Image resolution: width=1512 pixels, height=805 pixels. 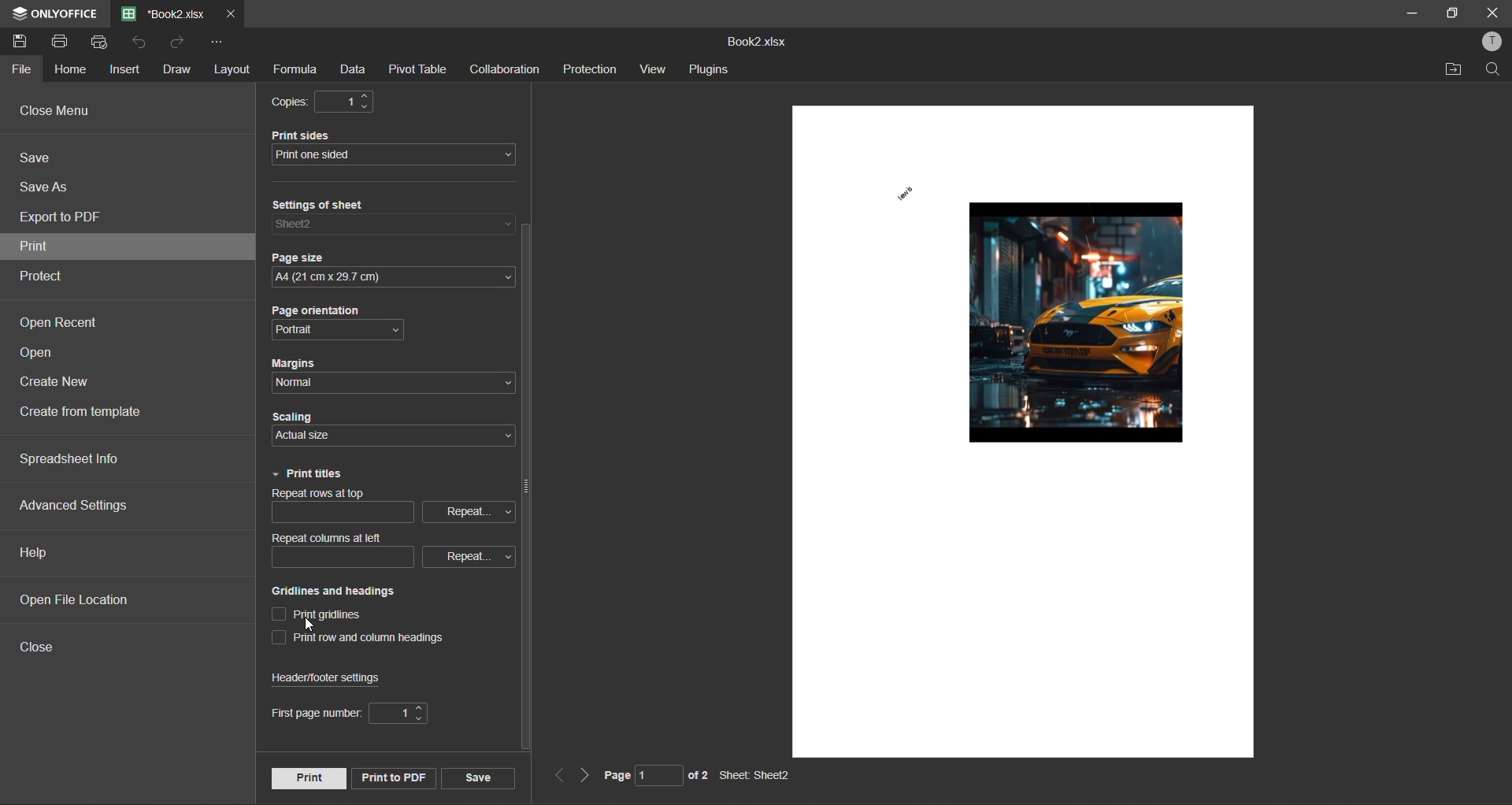 What do you see at coordinates (341, 495) in the screenshot?
I see `repeat rows on top ` at bounding box center [341, 495].